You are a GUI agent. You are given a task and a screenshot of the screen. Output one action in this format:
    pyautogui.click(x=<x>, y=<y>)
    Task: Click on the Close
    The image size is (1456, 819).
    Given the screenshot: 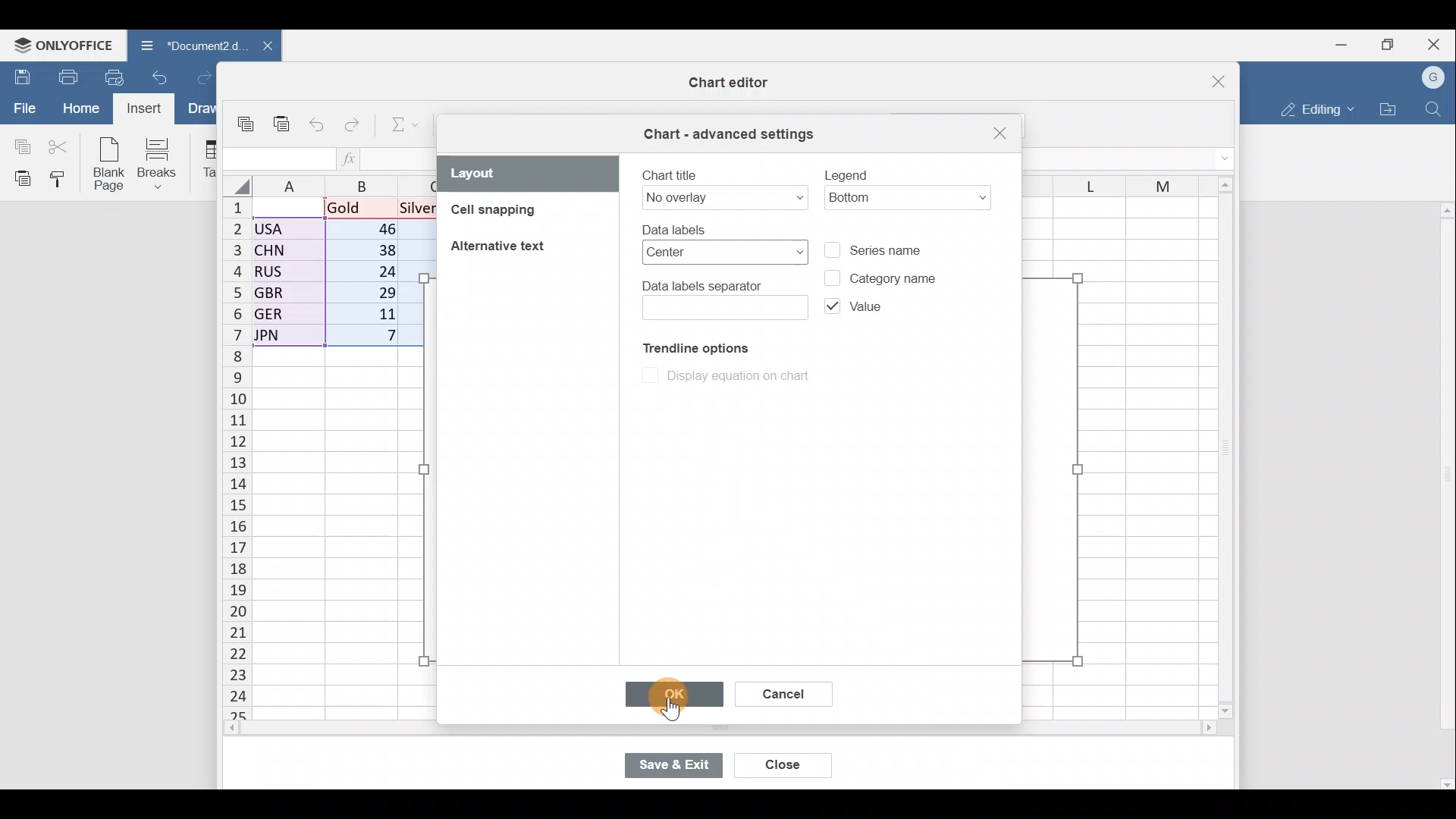 What is the action you would take?
    pyautogui.click(x=1438, y=43)
    